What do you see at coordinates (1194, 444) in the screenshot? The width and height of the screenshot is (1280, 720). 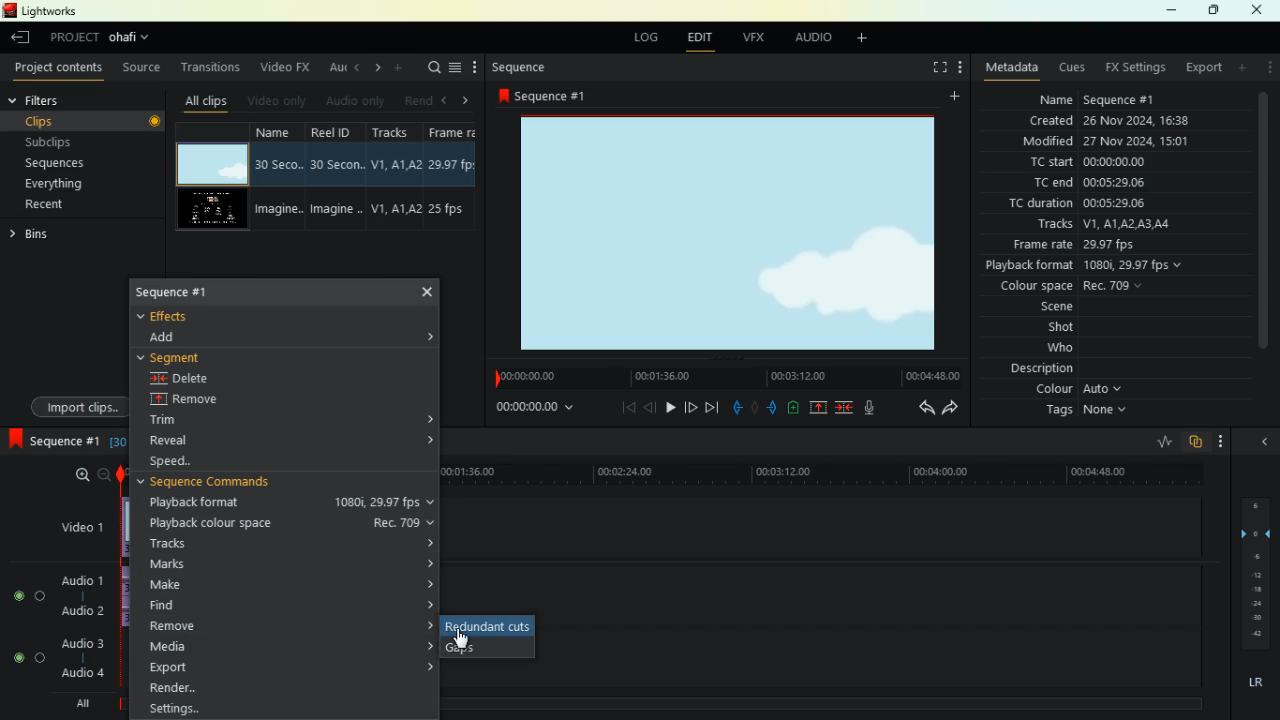 I see `overlap` at bounding box center [1194, 444].